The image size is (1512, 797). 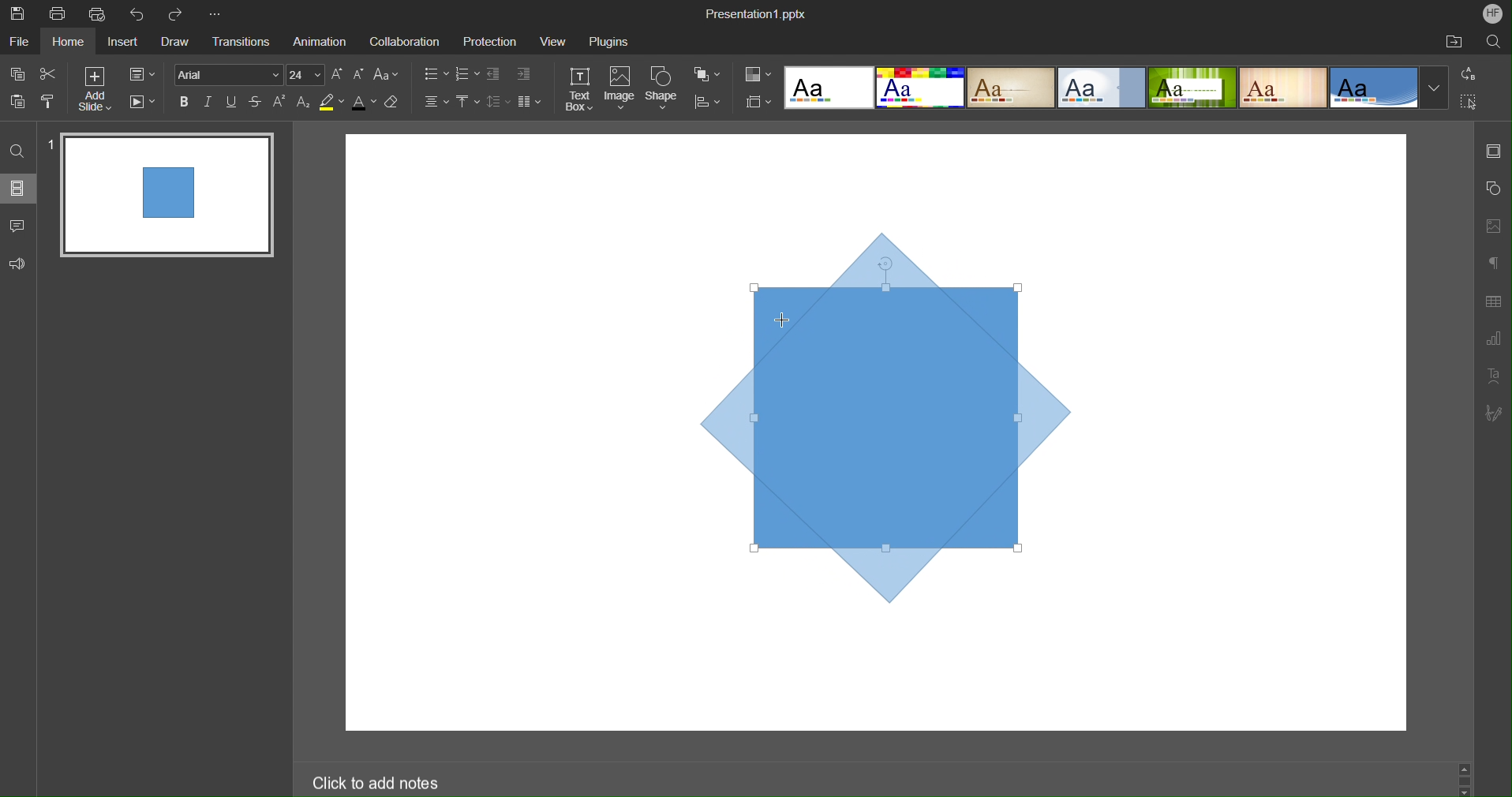 I want to click on Text Color, so click(x=364, y=102).